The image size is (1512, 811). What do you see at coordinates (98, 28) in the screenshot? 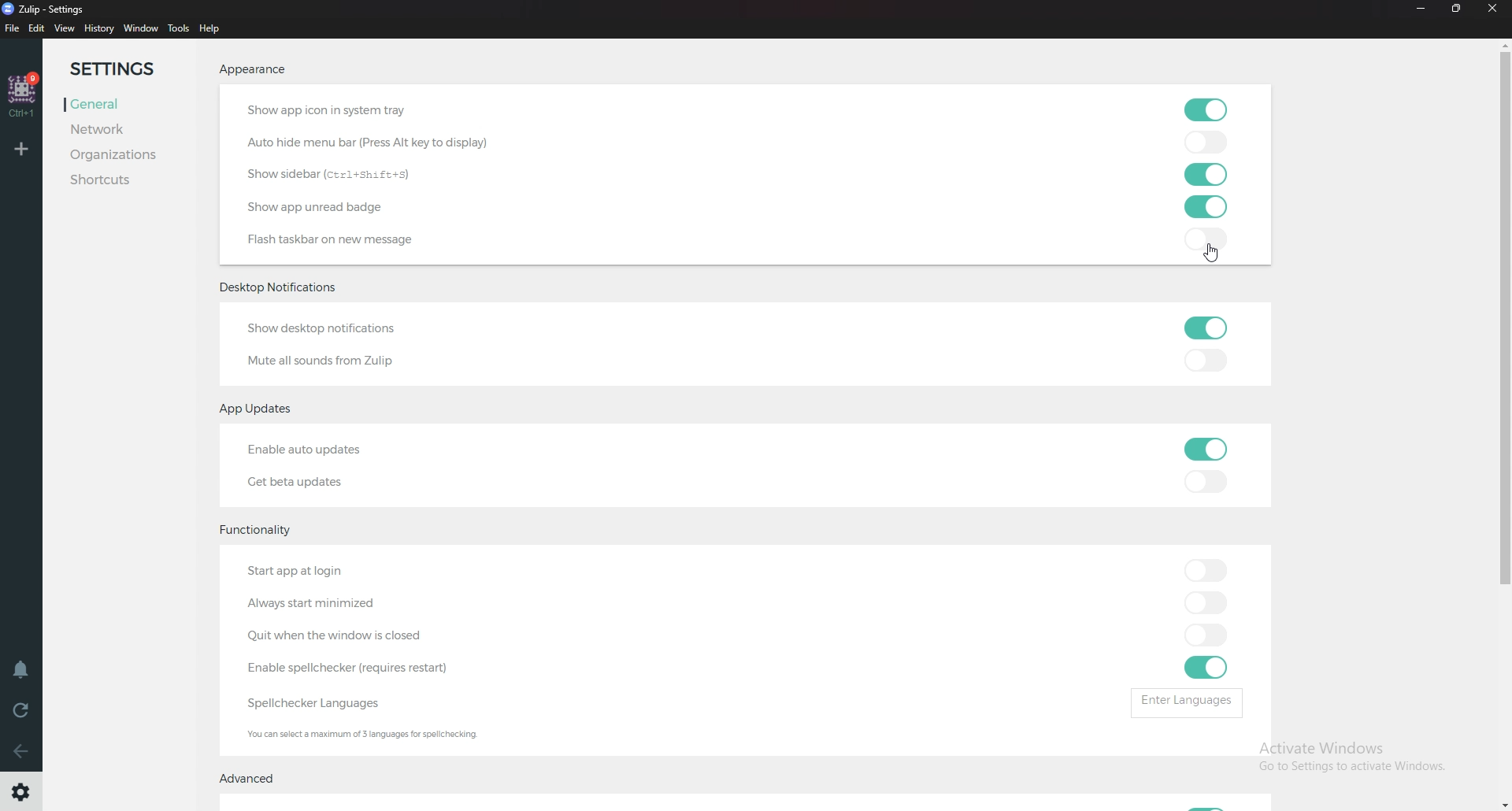
I see `history` at bounding box center [98, 28].